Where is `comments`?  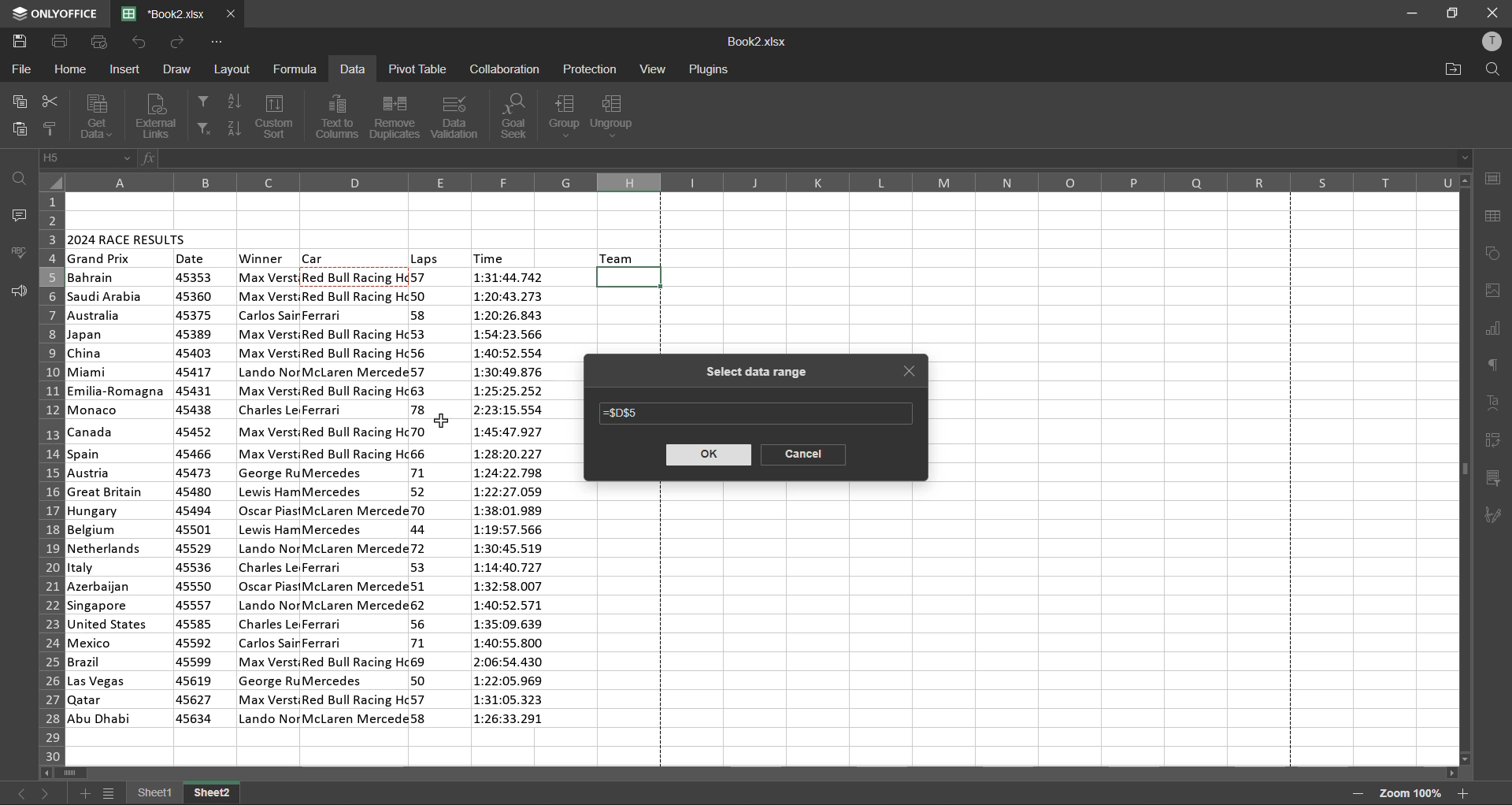
comments is located at coordinates (16, 215).